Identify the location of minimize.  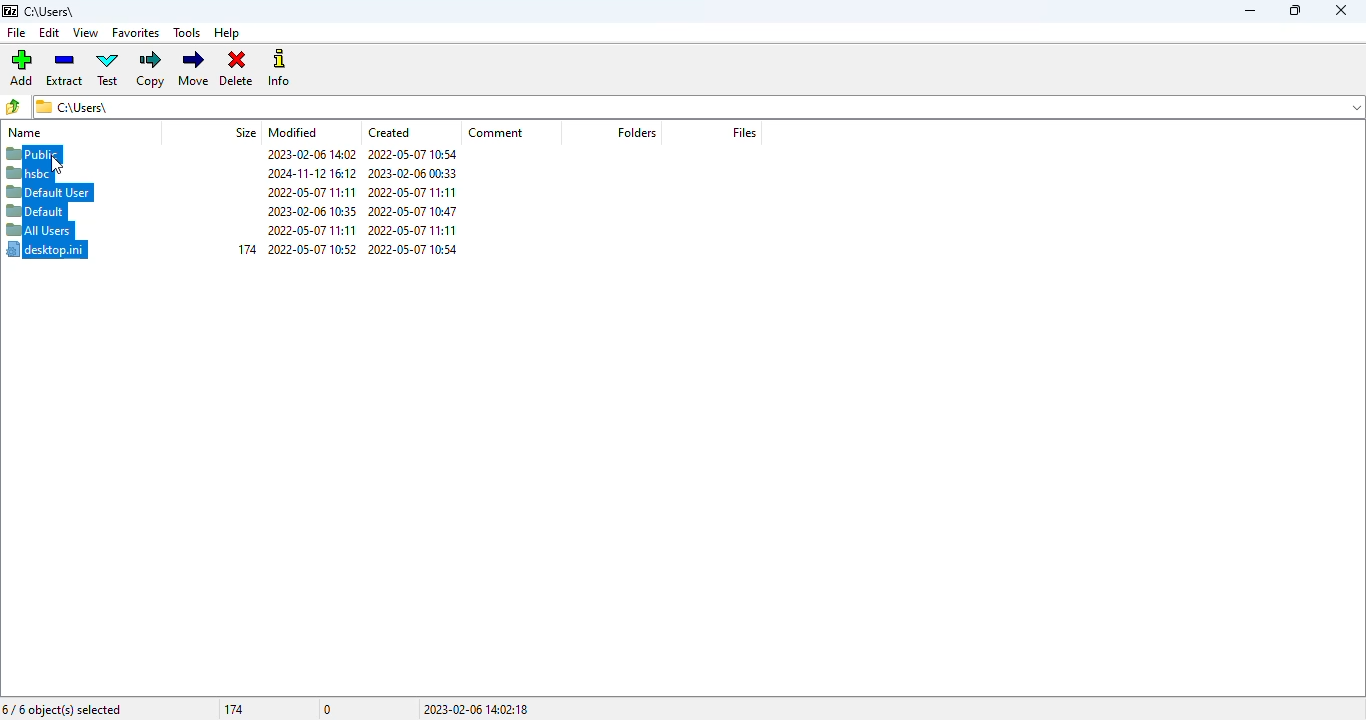
(1251, 11).